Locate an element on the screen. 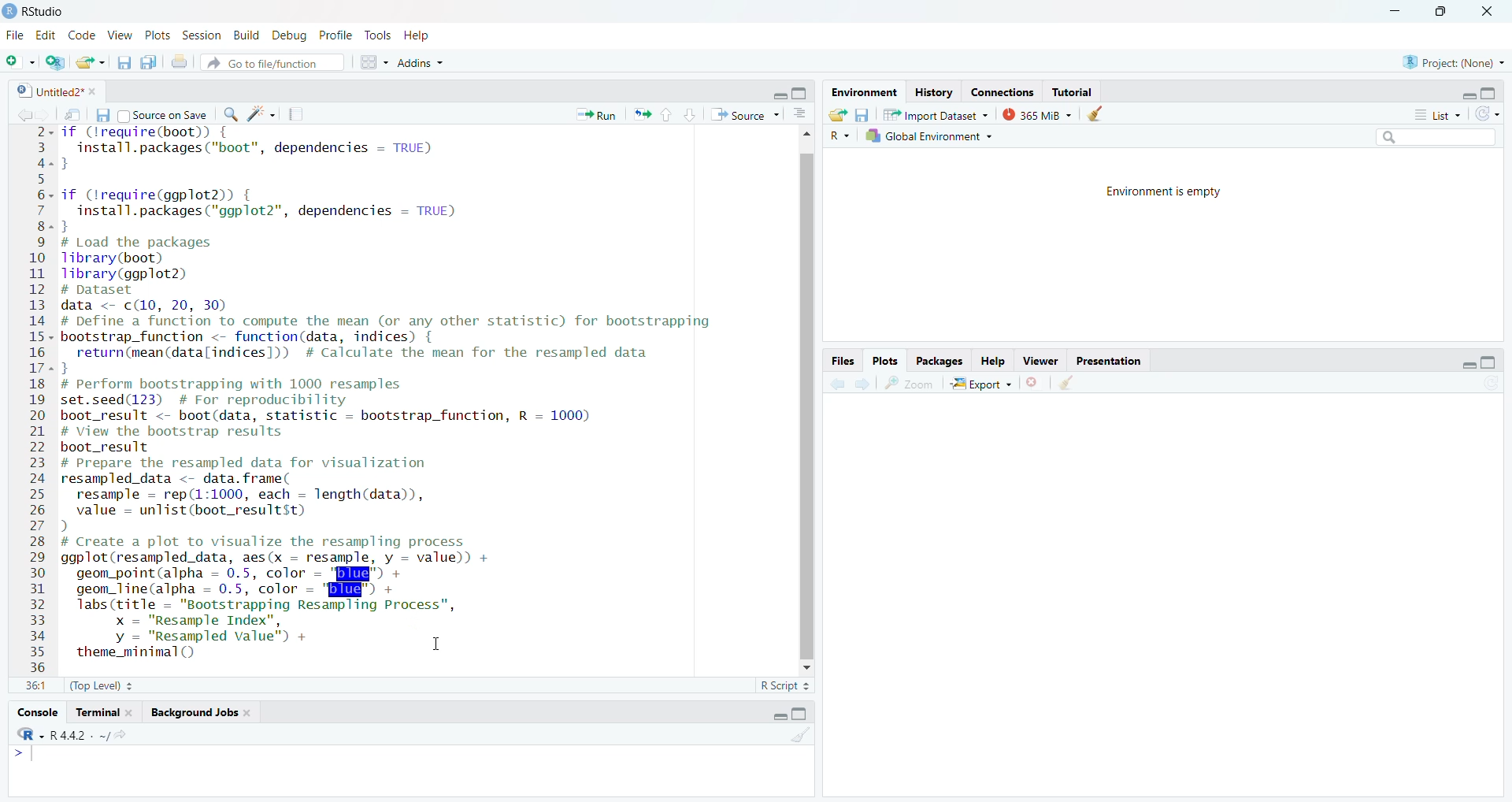 The height and width of the screenshot is (802, 1512).  Tools is located at coordinates (376, 35).